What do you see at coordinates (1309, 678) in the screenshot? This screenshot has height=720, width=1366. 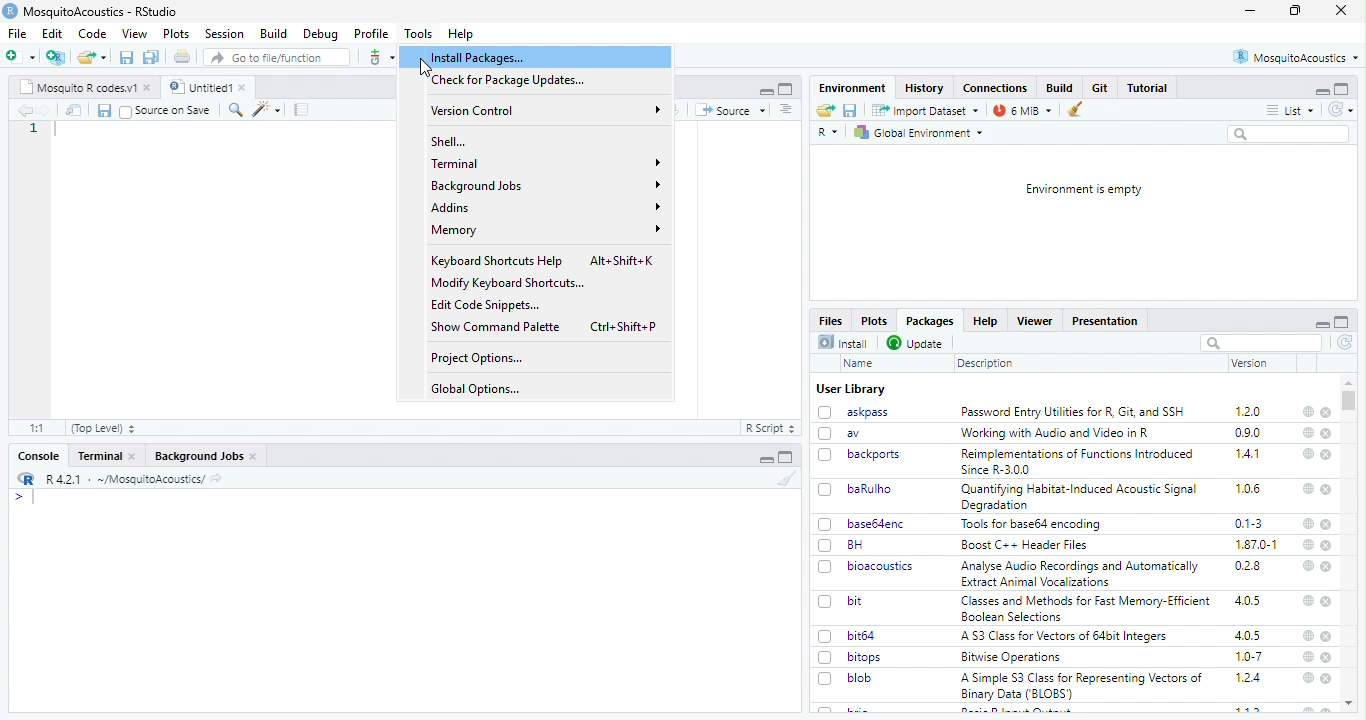 I see `web` at bounding box center [1309, 678].